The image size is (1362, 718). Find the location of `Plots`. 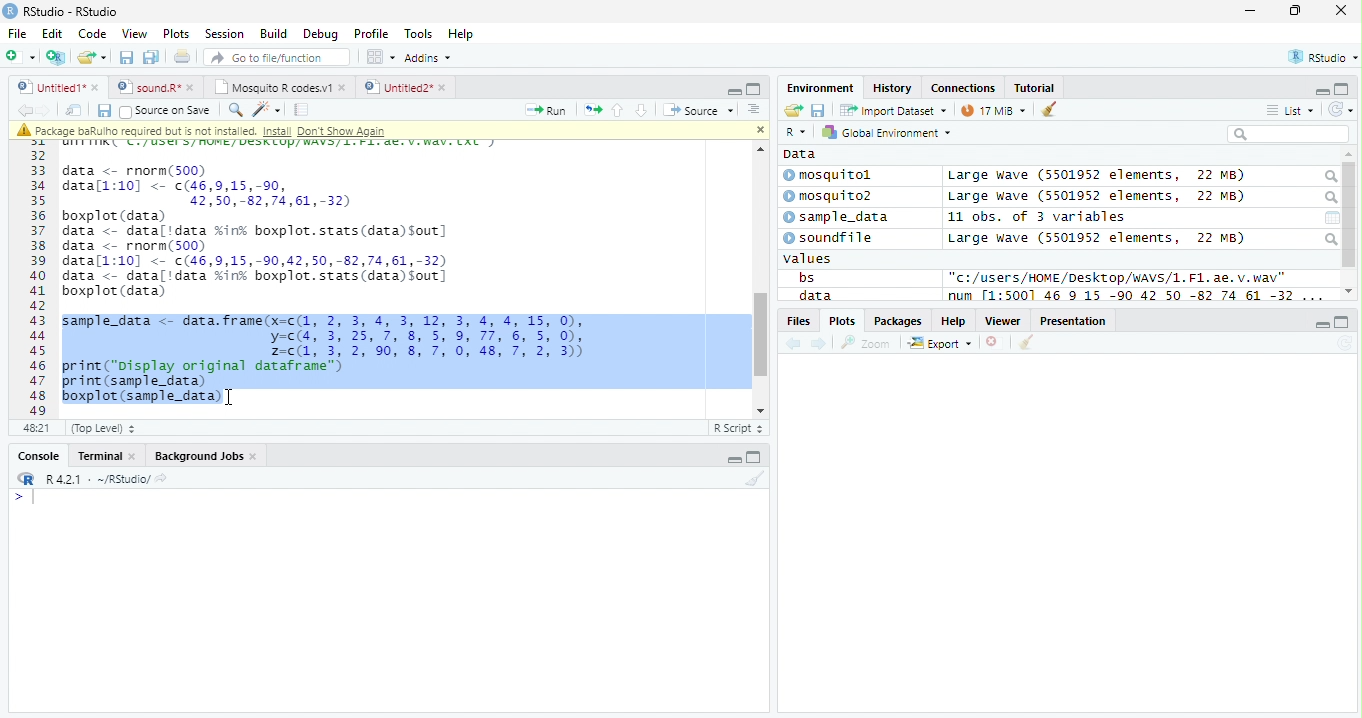

Plots is located at coordinates (177, 34).